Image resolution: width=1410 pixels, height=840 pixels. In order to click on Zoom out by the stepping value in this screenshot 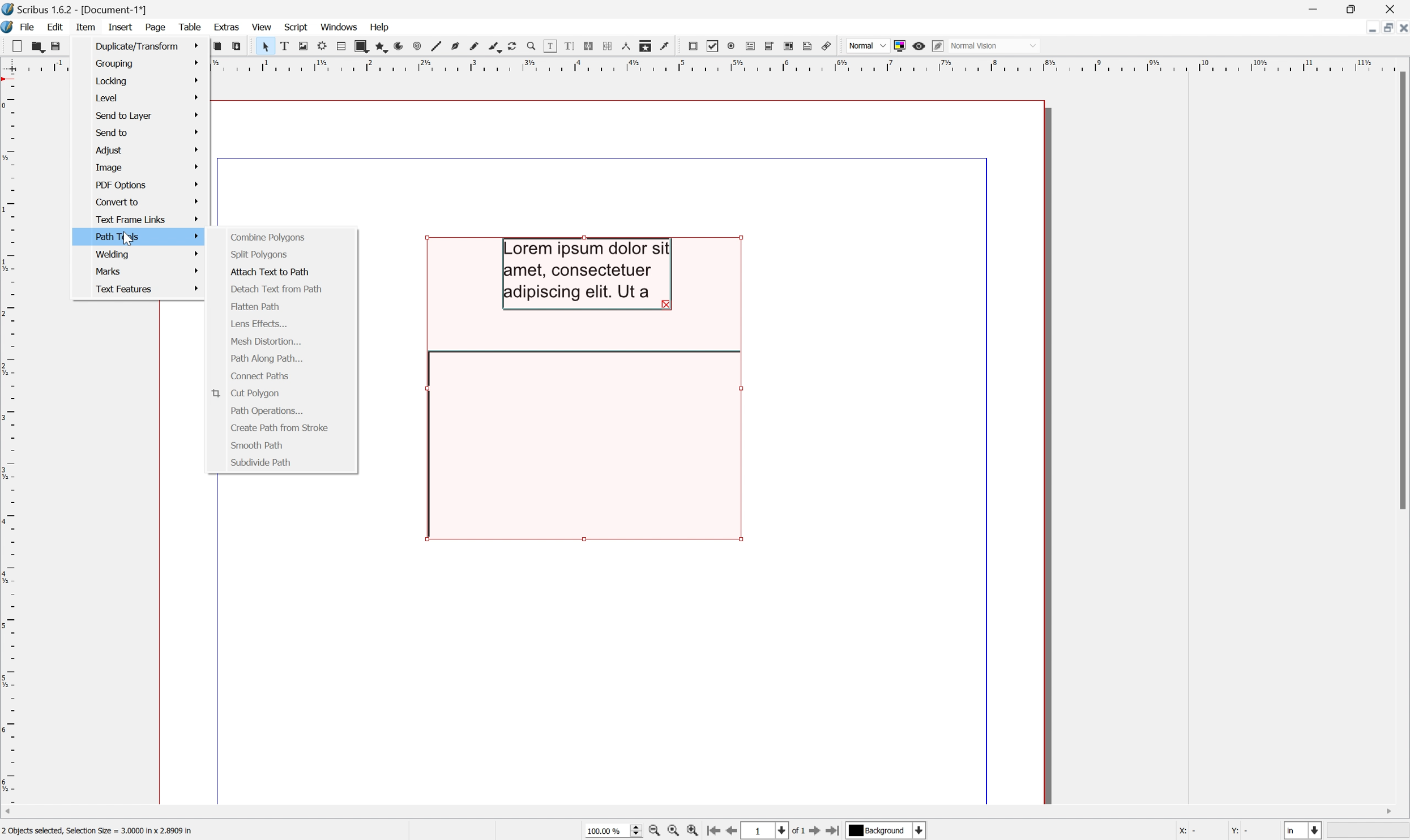, I will do `click(657, 832)`.